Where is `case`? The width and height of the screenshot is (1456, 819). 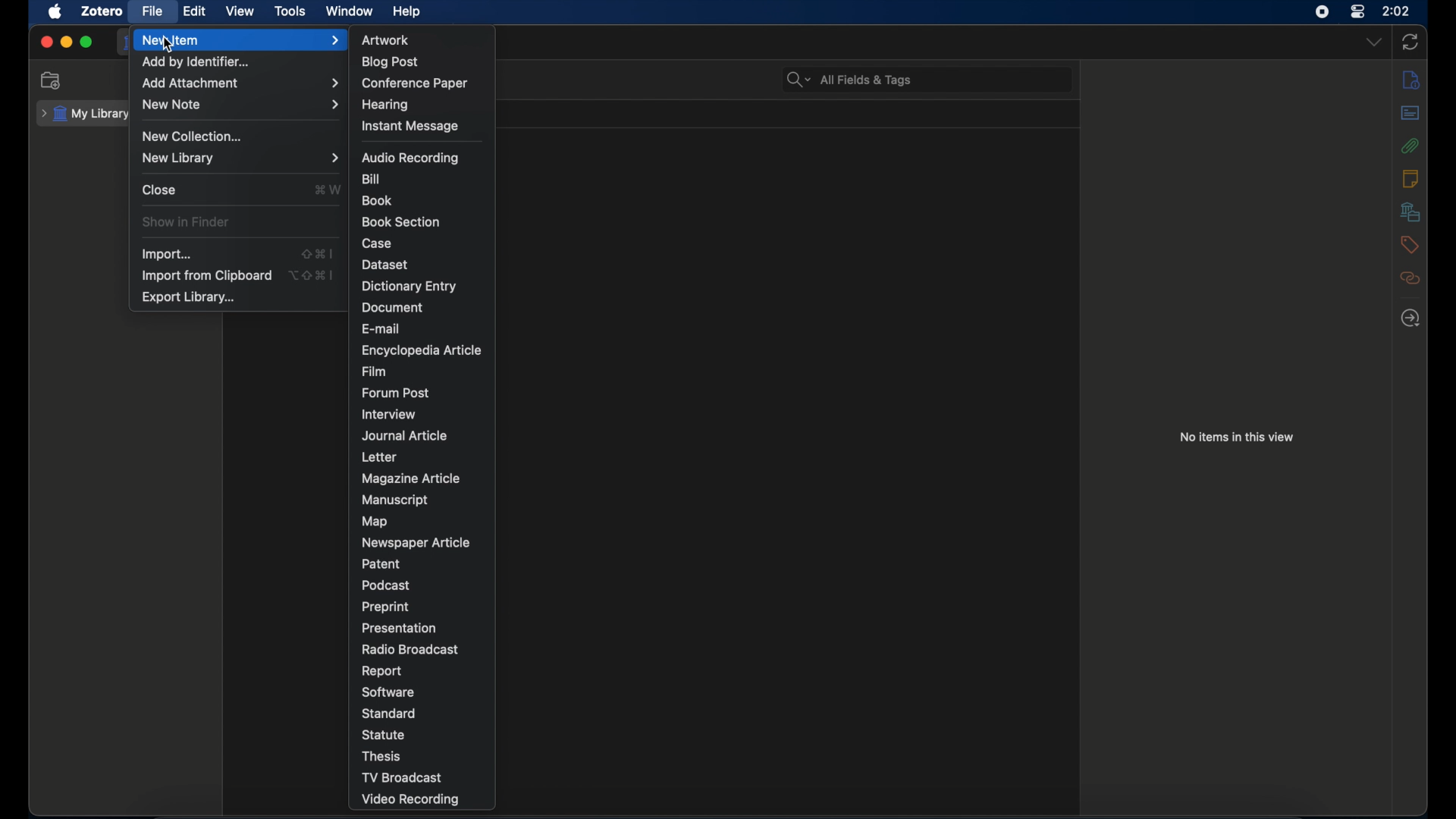
case is located at coordinates (378, 244).